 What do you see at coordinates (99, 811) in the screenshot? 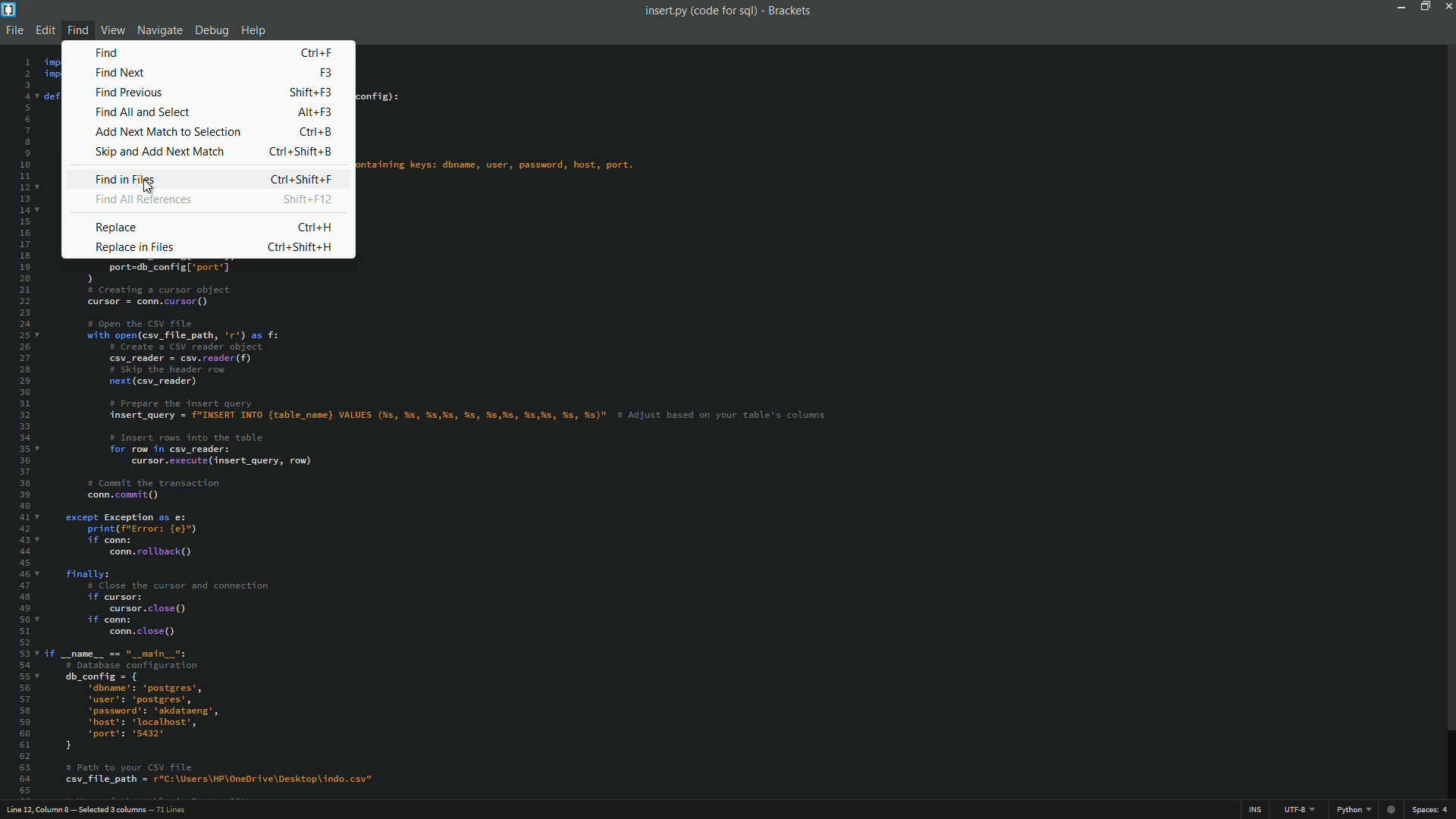
I see `cursor position` at bounding box center [99, 811].